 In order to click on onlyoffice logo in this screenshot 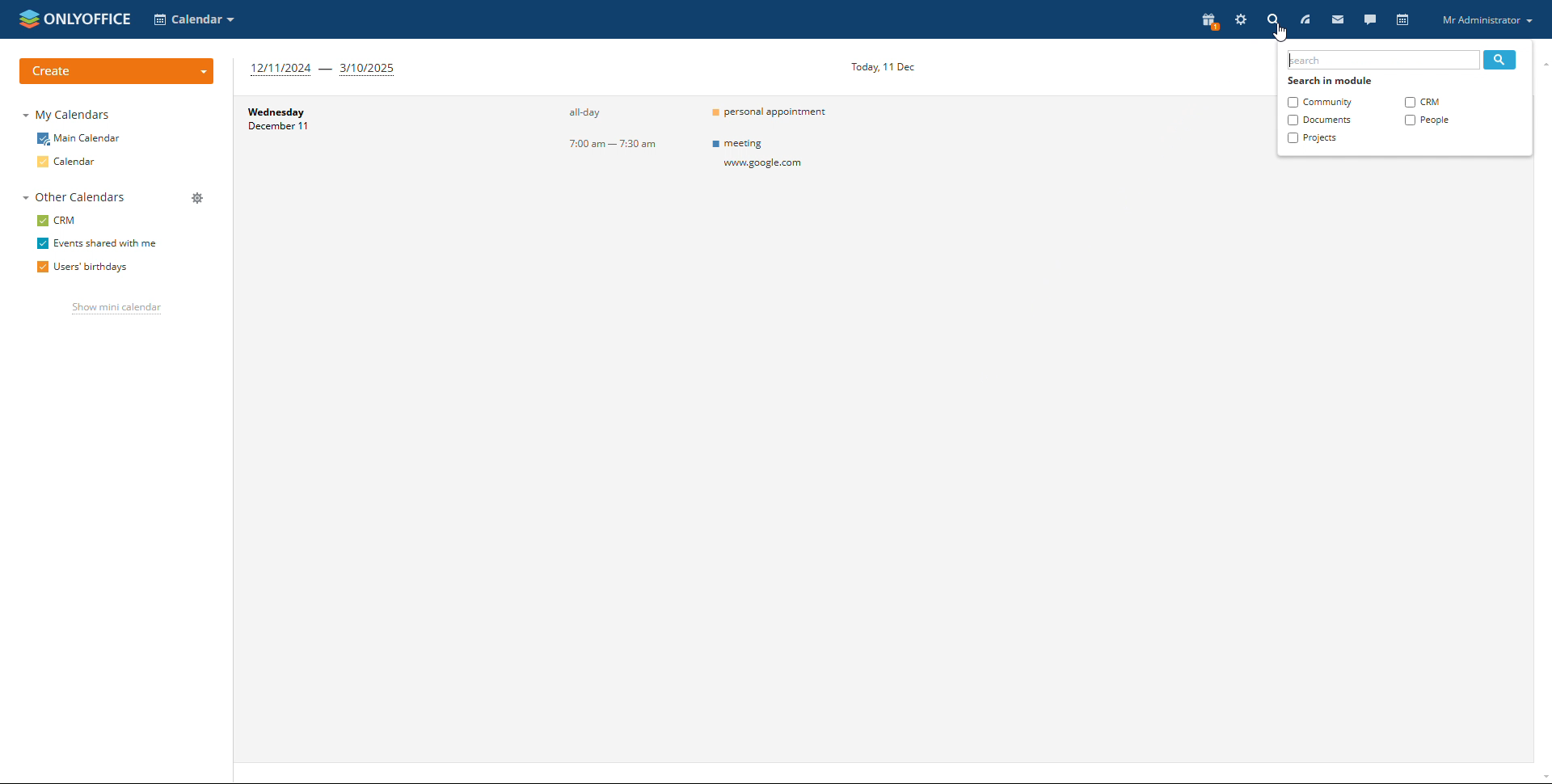, I will do `click(73, 19)`.